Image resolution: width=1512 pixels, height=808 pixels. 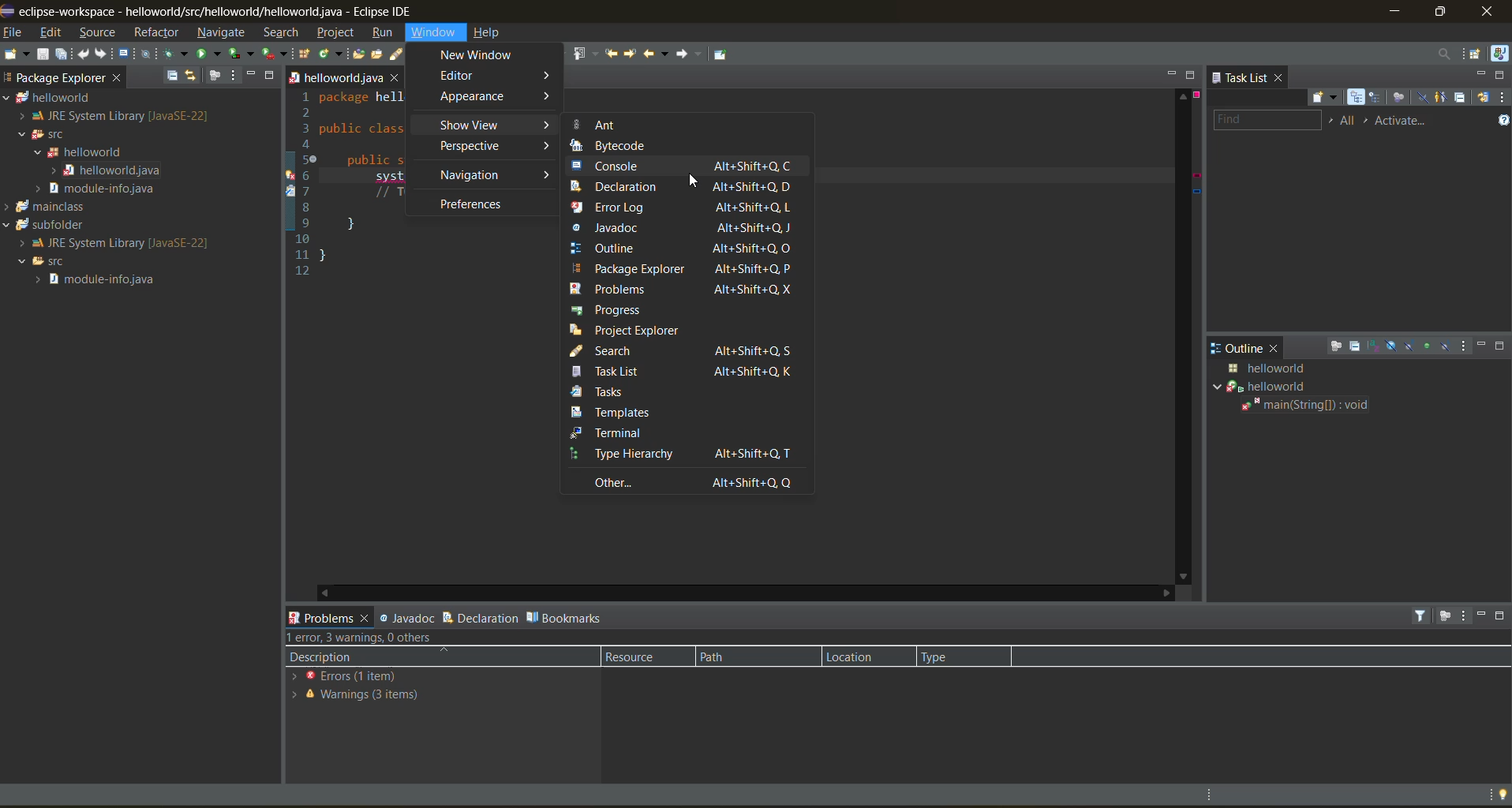 What do you see at coordinates (864, 658) in the screenshot?
I see `location` at bounding box center [864, 658].